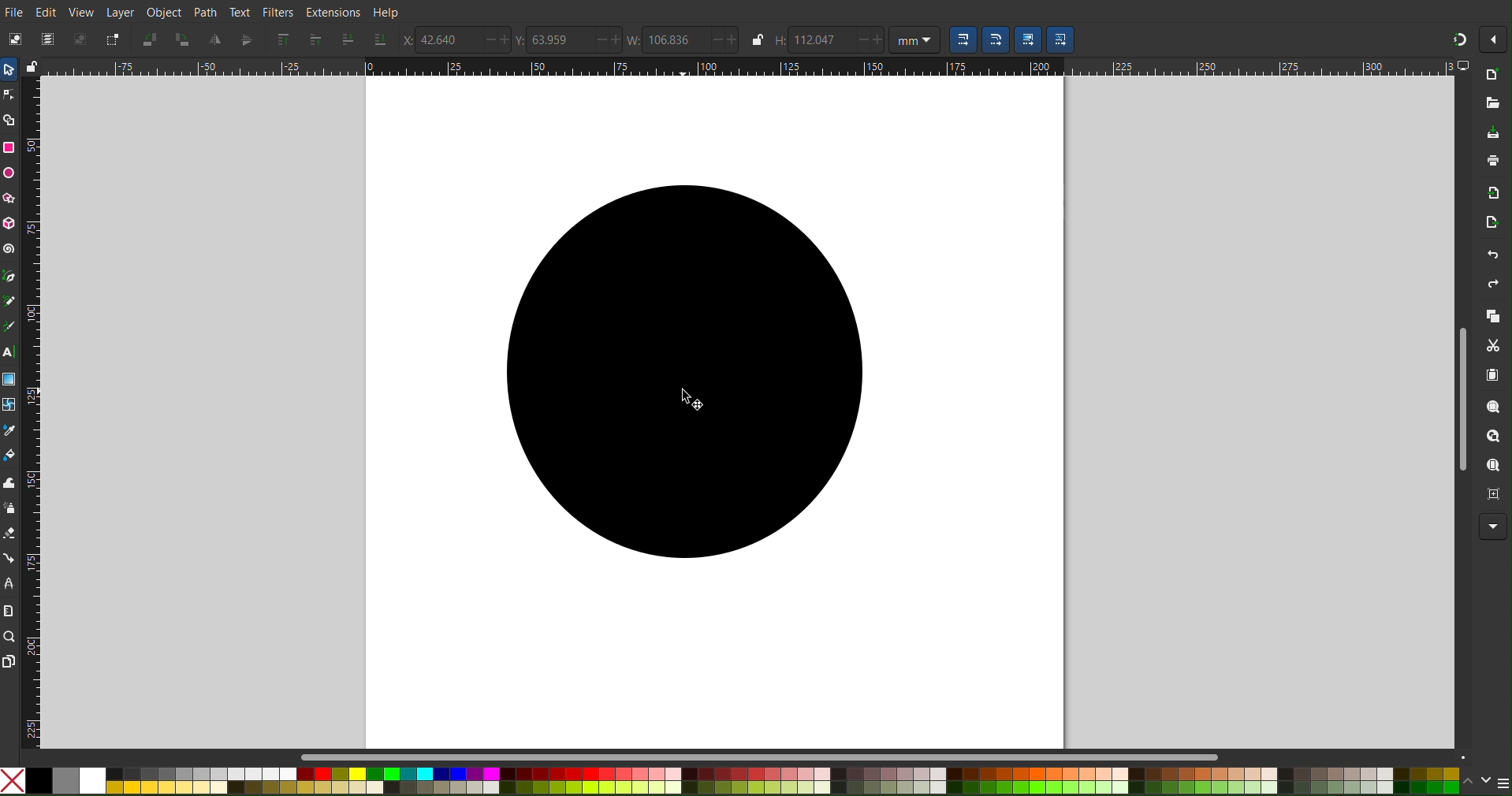  I want to click on Redo, so click(1493, 284).